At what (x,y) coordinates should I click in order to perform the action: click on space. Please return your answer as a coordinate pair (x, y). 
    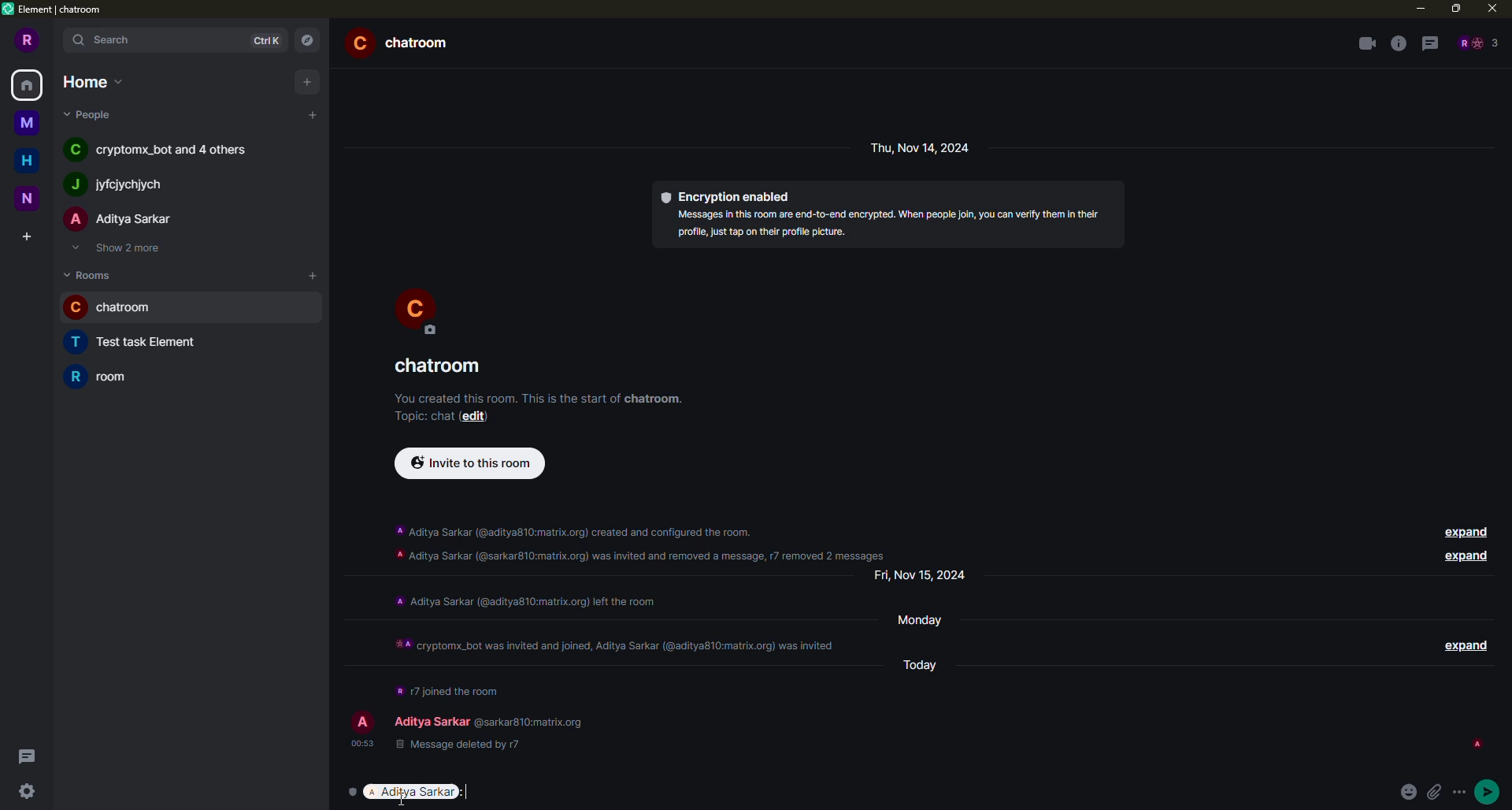
    Looking at the image, I should click on (31, 199).